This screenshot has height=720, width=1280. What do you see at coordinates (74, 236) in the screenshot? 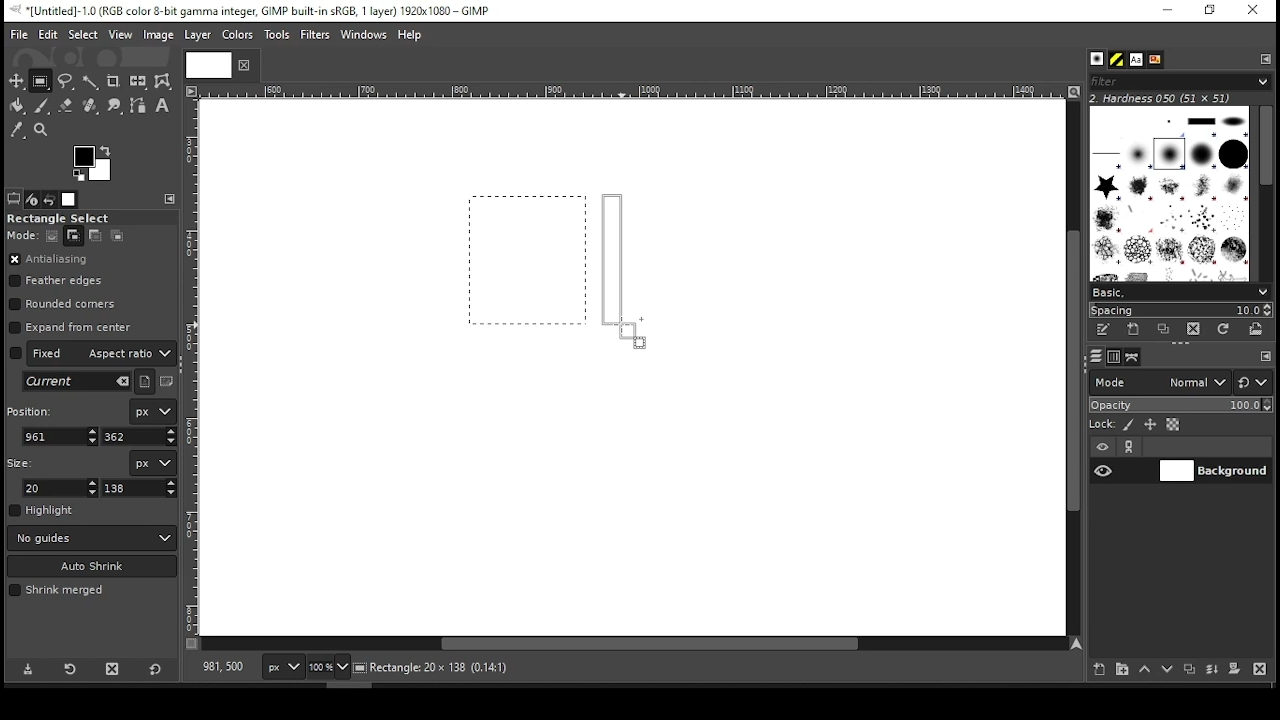
I see `add to current selection` at bounding box center [74, 236].